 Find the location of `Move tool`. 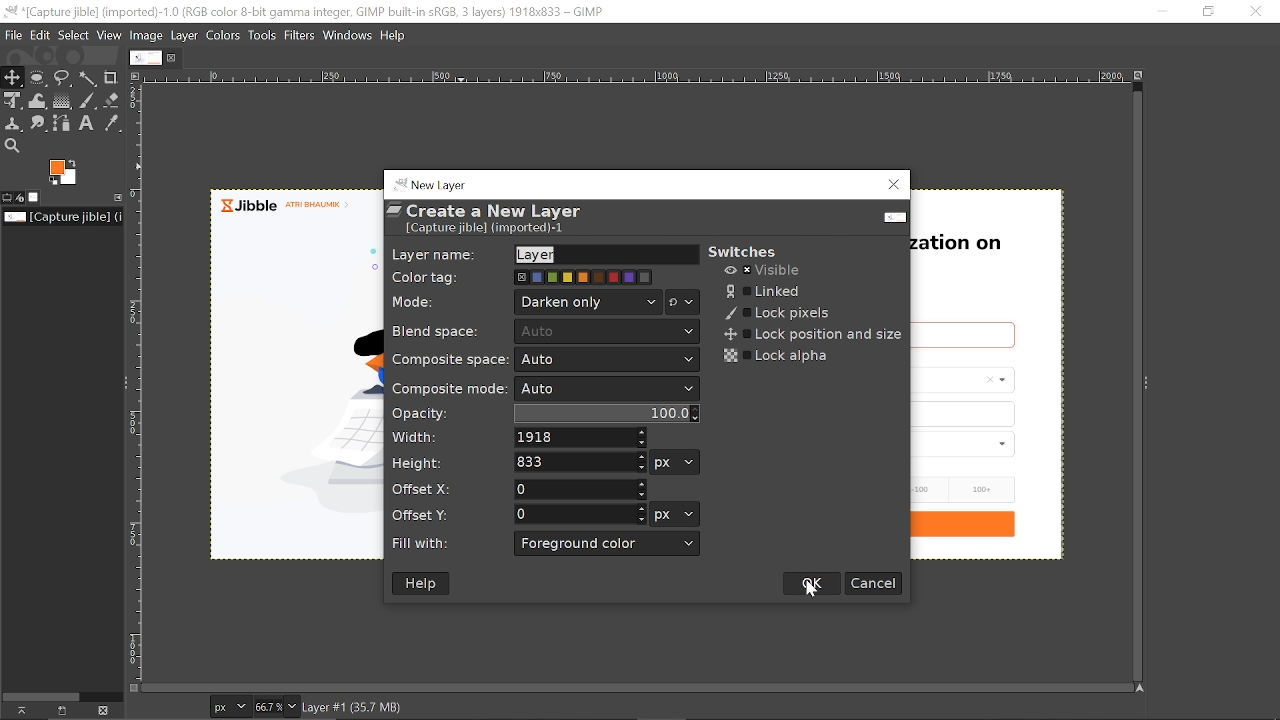

Move tool is located at coordinates (13, 77).